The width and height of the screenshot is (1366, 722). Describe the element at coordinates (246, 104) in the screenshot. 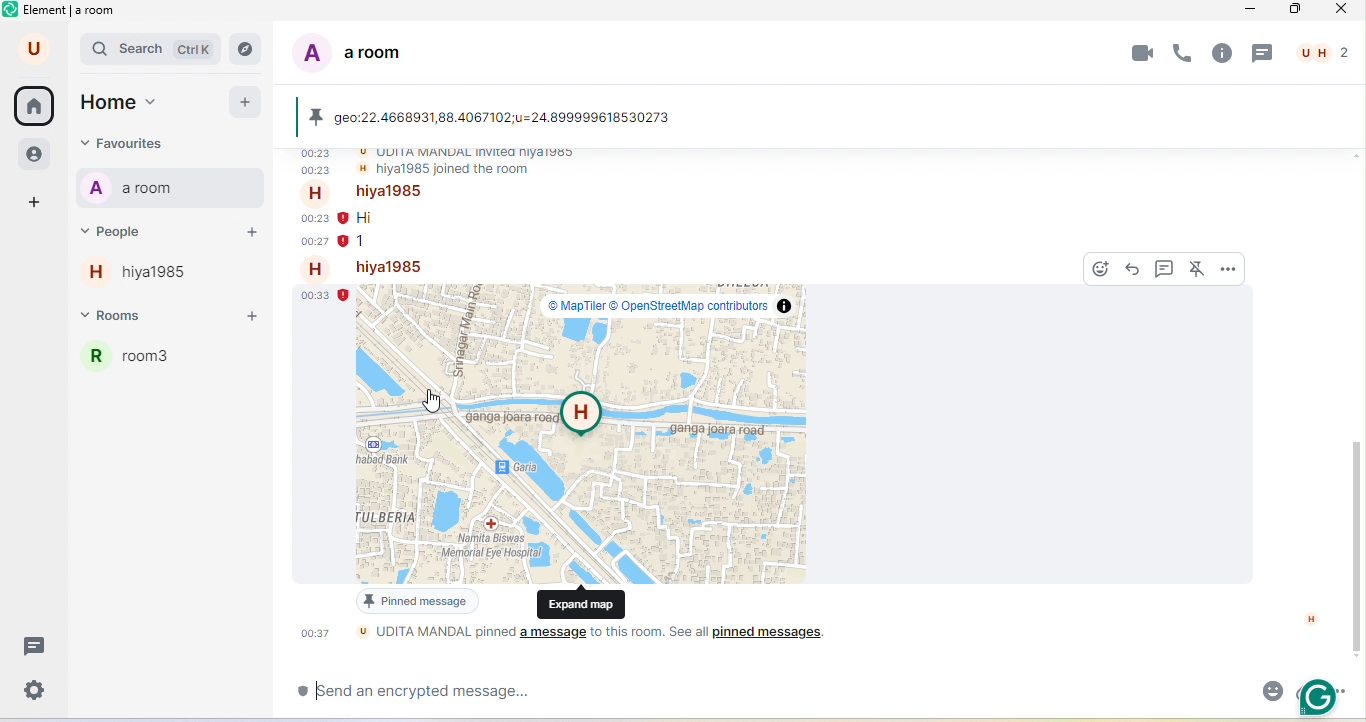

I see `add ` at that location.